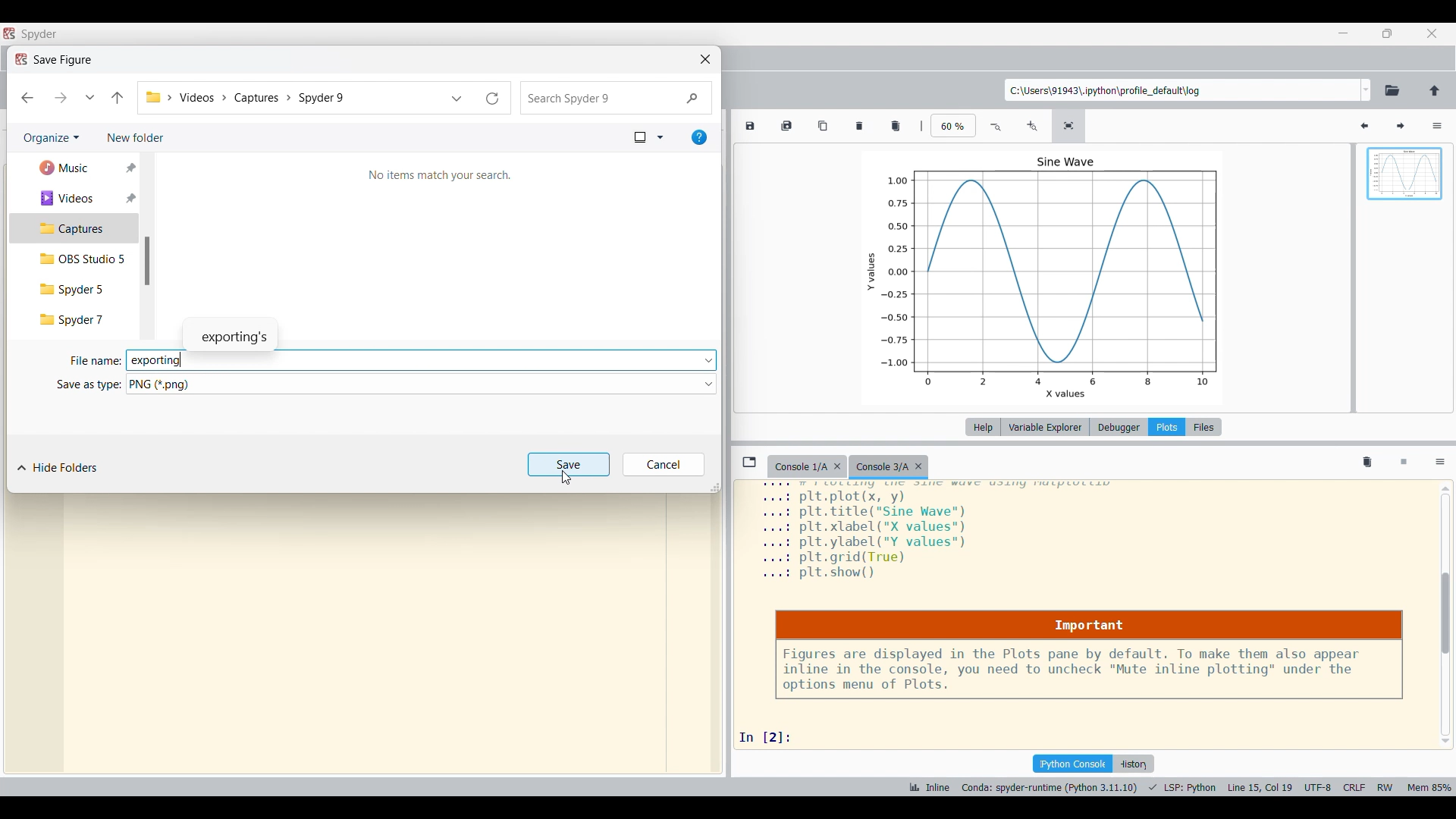  I want to click on title bar, so click(40, 34).